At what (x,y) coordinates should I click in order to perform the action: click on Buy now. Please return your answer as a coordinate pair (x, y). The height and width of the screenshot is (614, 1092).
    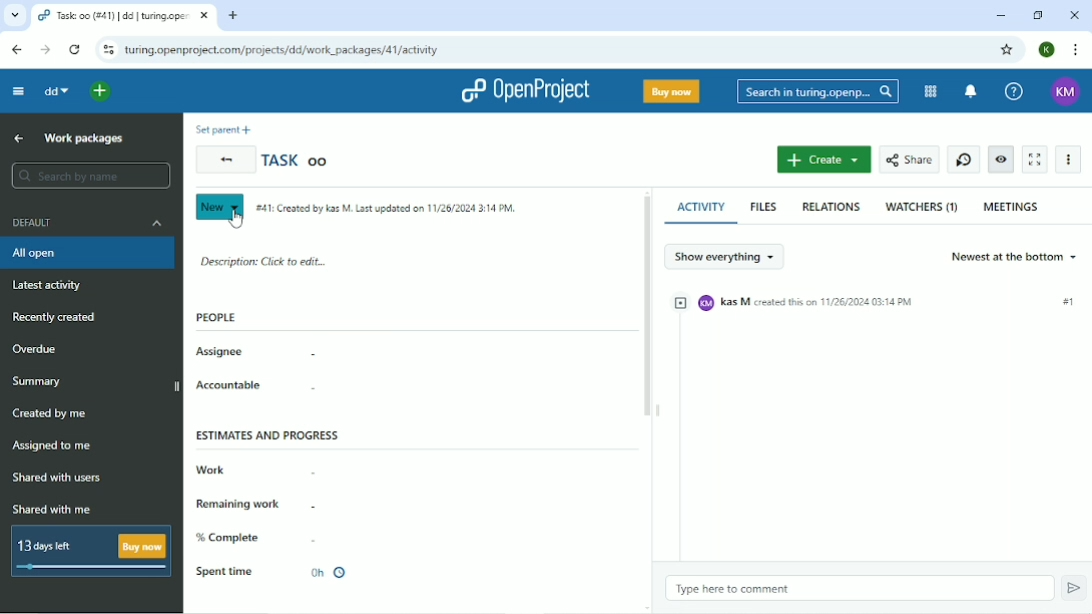
    Looking at the image, I should click on (670, 91).